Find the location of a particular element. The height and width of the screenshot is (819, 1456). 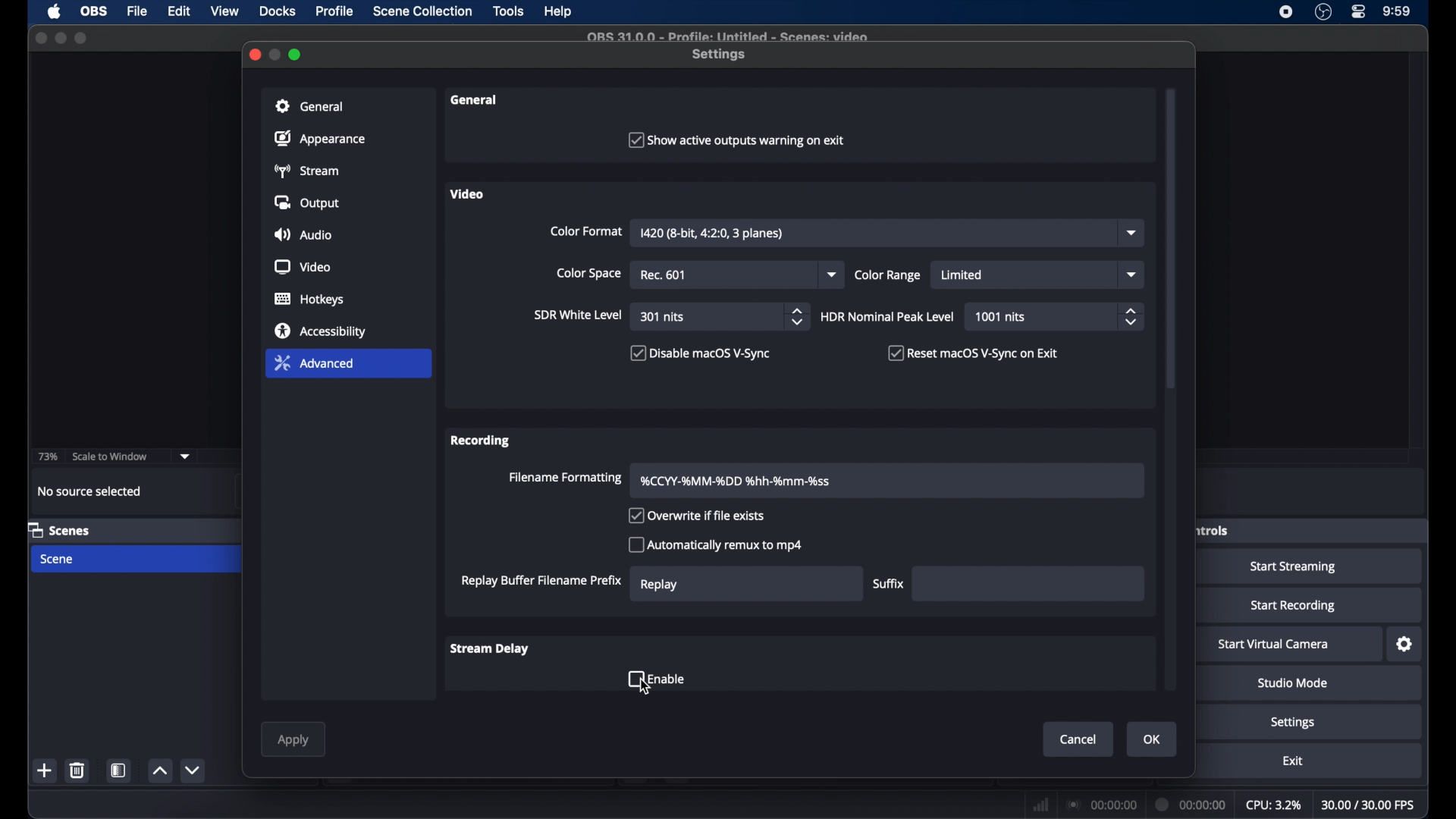

checkbox  is located at coordinates (695, 516).